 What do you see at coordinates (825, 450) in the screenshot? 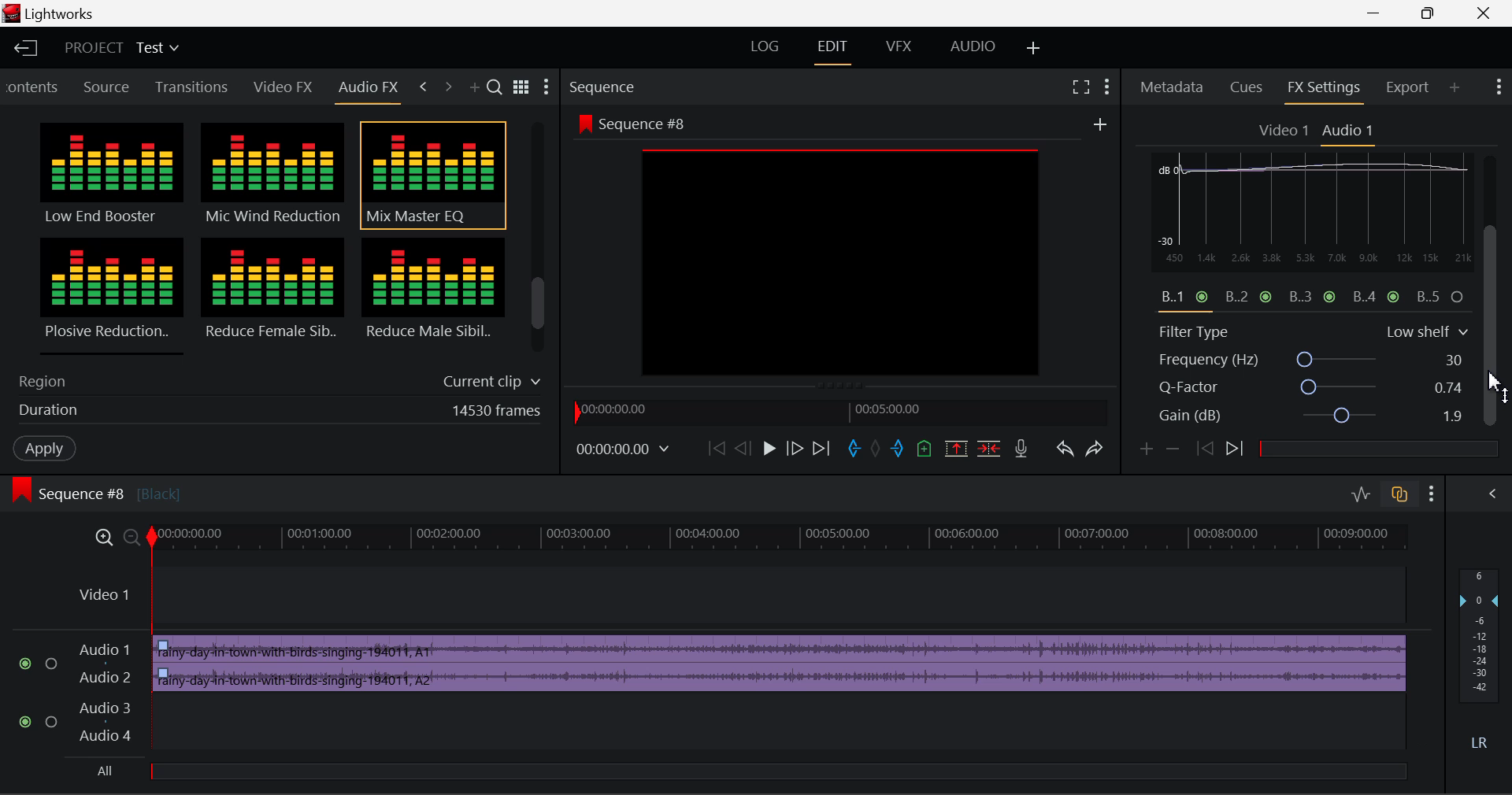
I see `To End` at bounding box center [825, 450].